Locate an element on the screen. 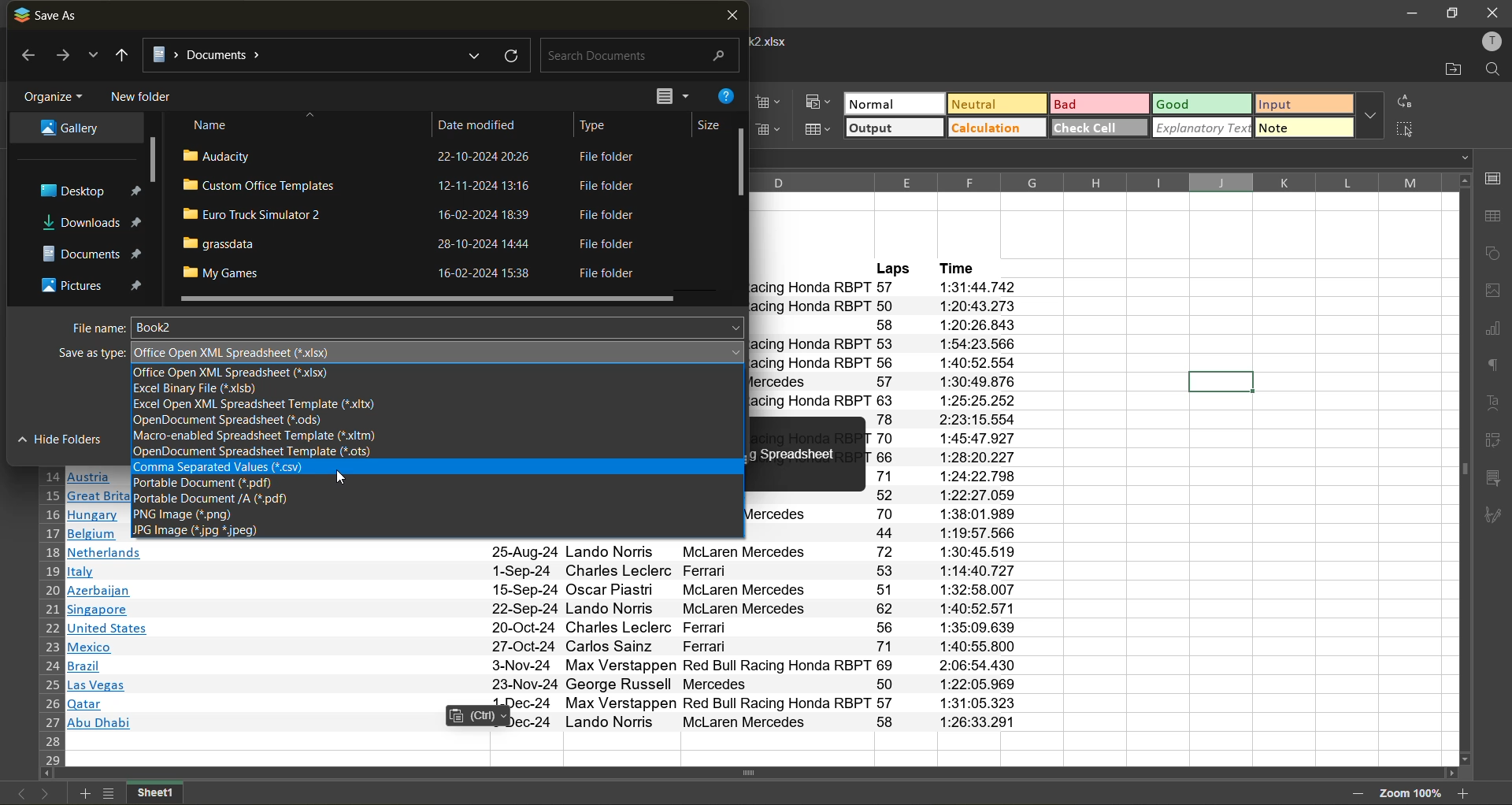 The image size is (1512, 805). xlsb is located at coordinates (201, 389).